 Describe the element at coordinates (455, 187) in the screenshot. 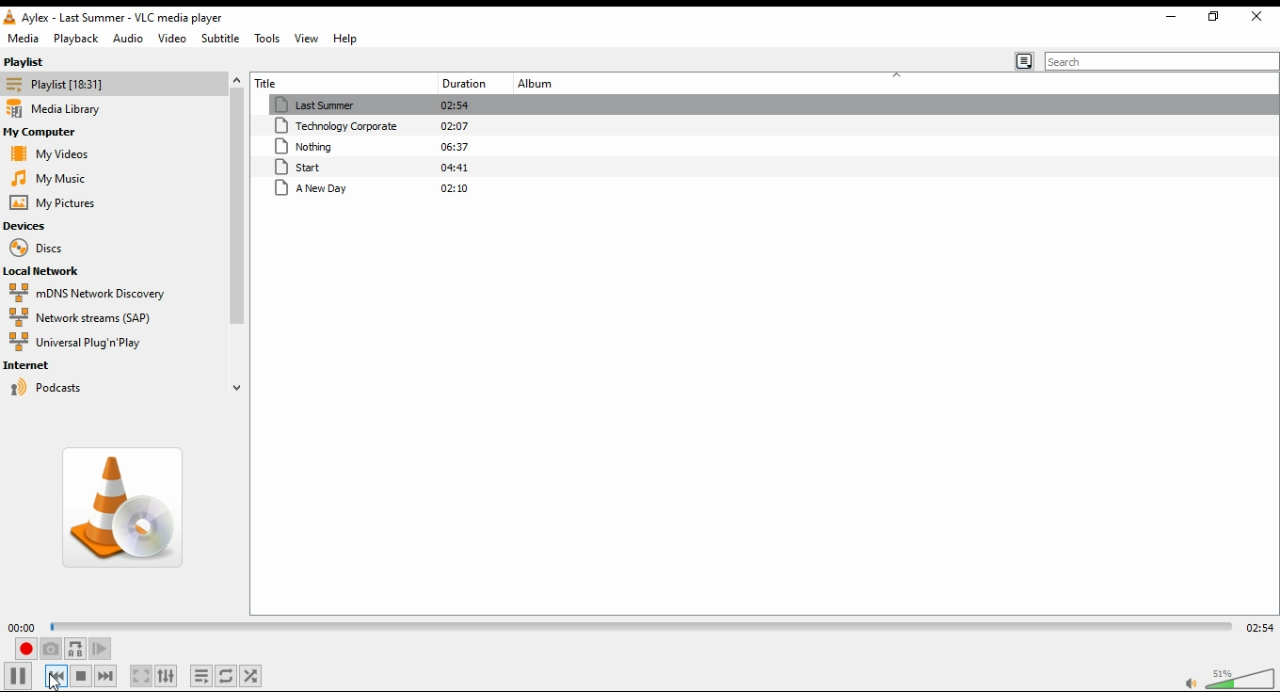

I see `02:10` at that location.